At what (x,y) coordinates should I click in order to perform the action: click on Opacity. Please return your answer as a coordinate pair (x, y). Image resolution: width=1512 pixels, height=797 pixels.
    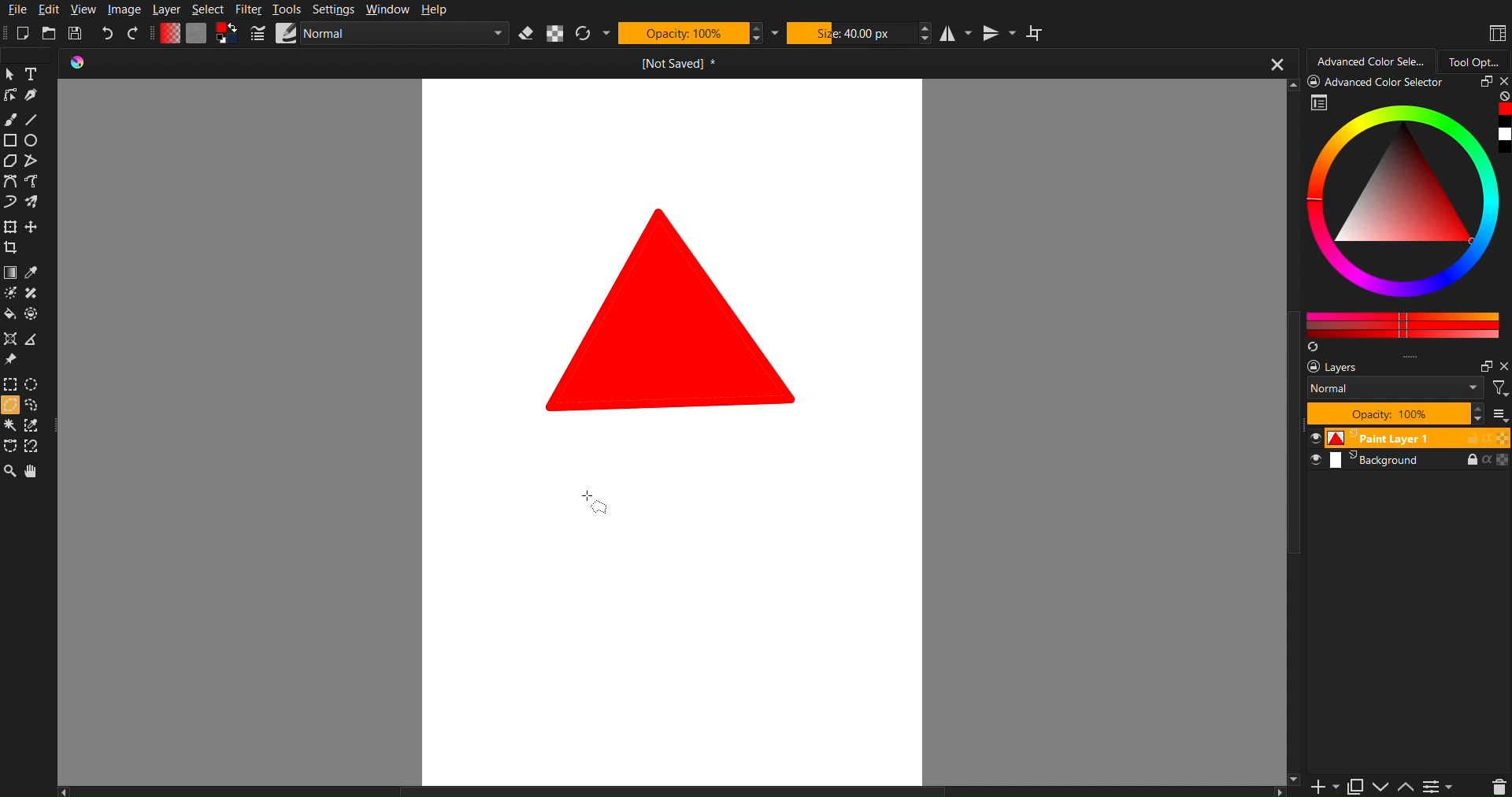
    Looking at the image, I should click on (682, 32).